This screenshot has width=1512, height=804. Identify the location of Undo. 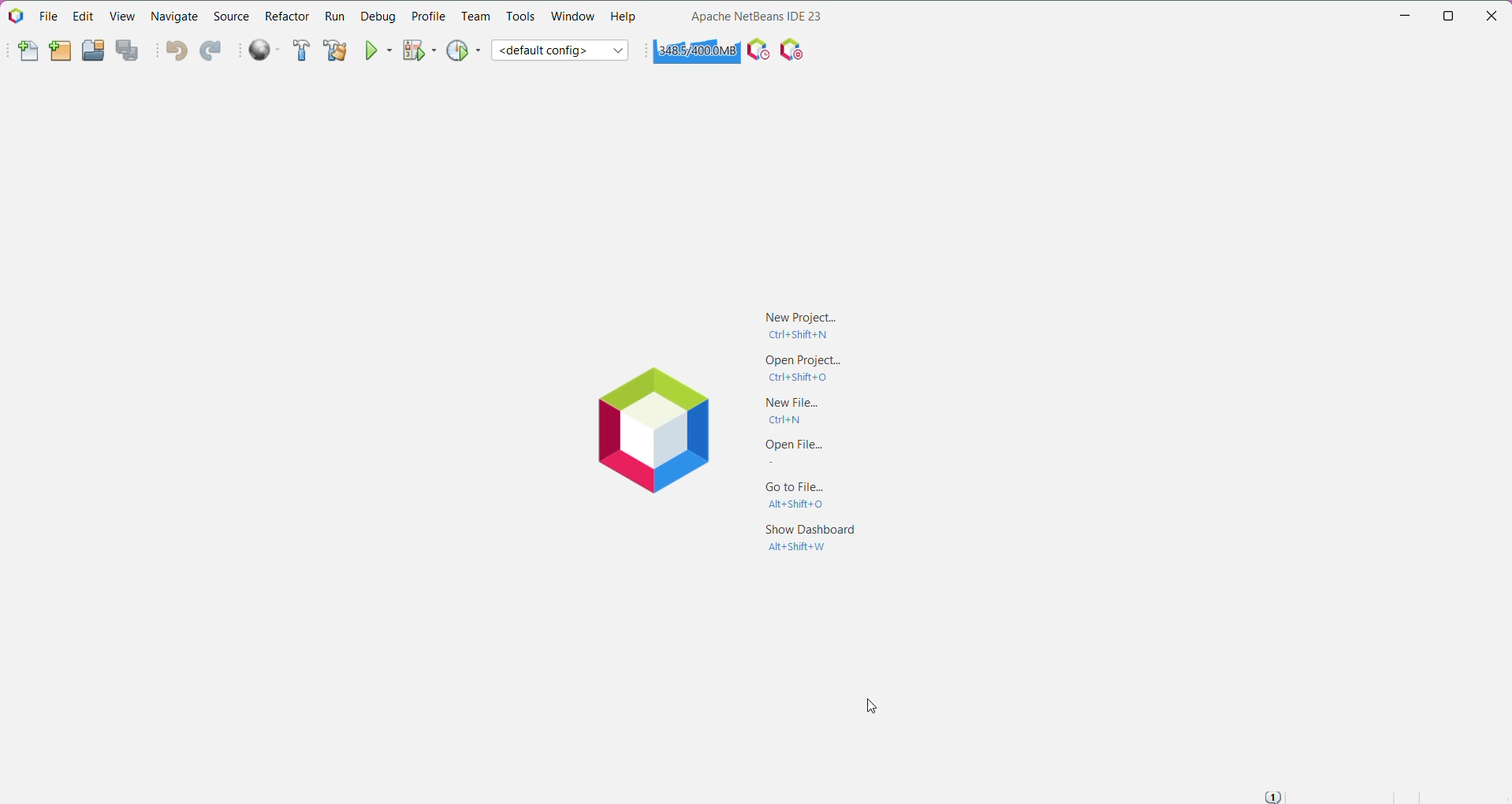
(174, 52).